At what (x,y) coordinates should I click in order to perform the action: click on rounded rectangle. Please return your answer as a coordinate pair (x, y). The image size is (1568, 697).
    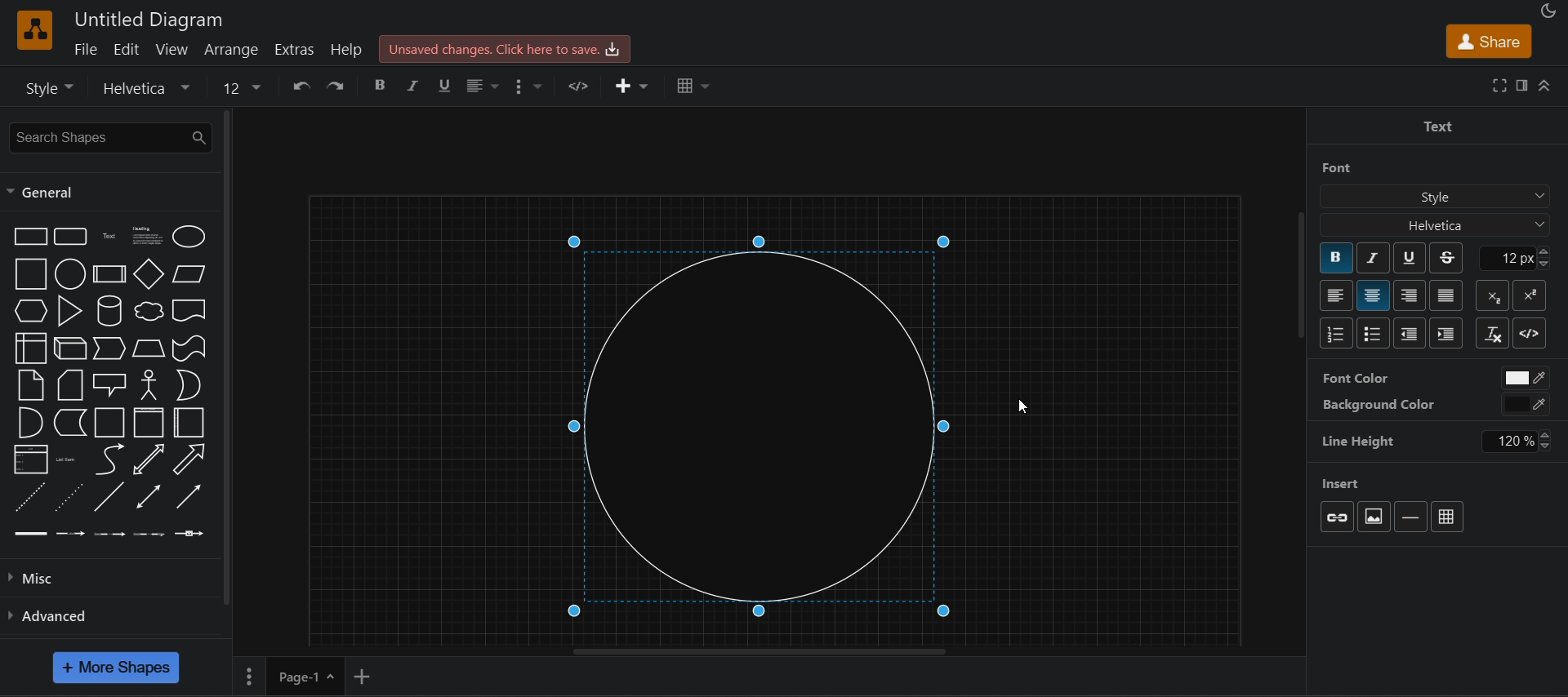
    Looking at the image, I should click on (72, 237).